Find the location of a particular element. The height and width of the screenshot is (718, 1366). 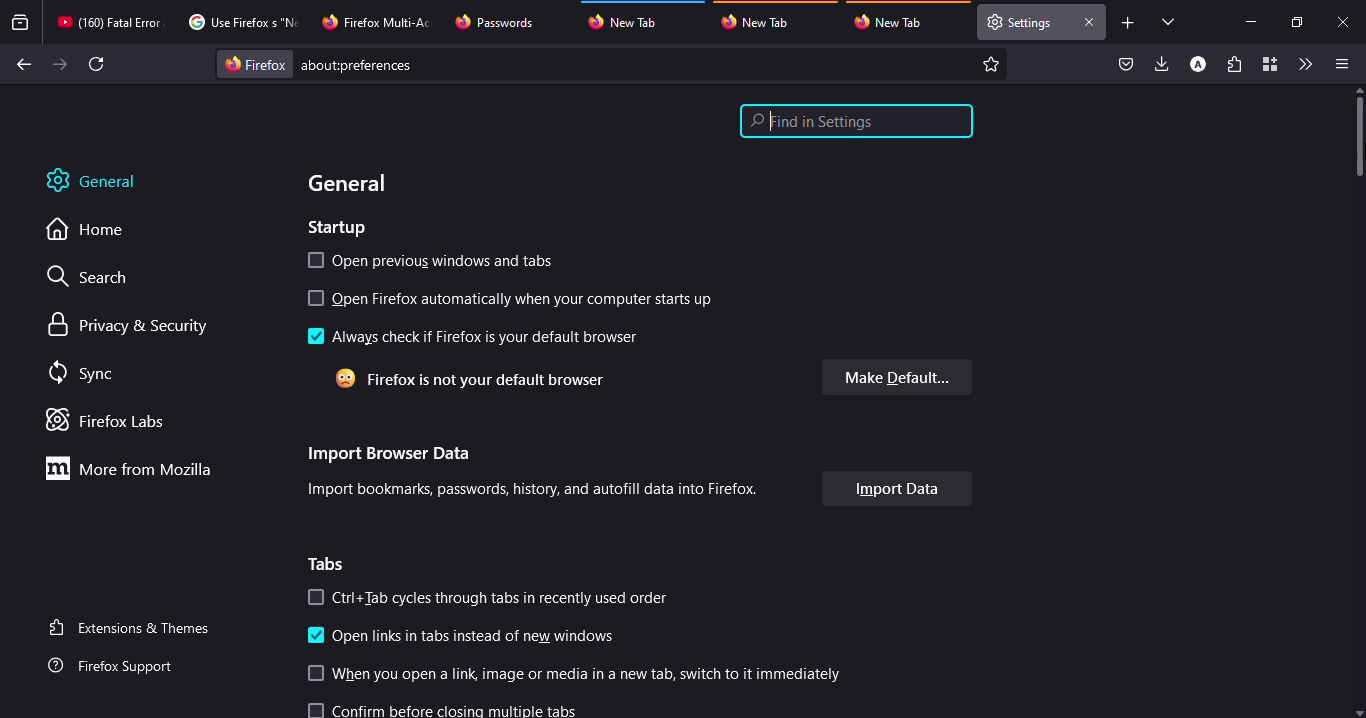

selected is located at coordinates (316, 636).